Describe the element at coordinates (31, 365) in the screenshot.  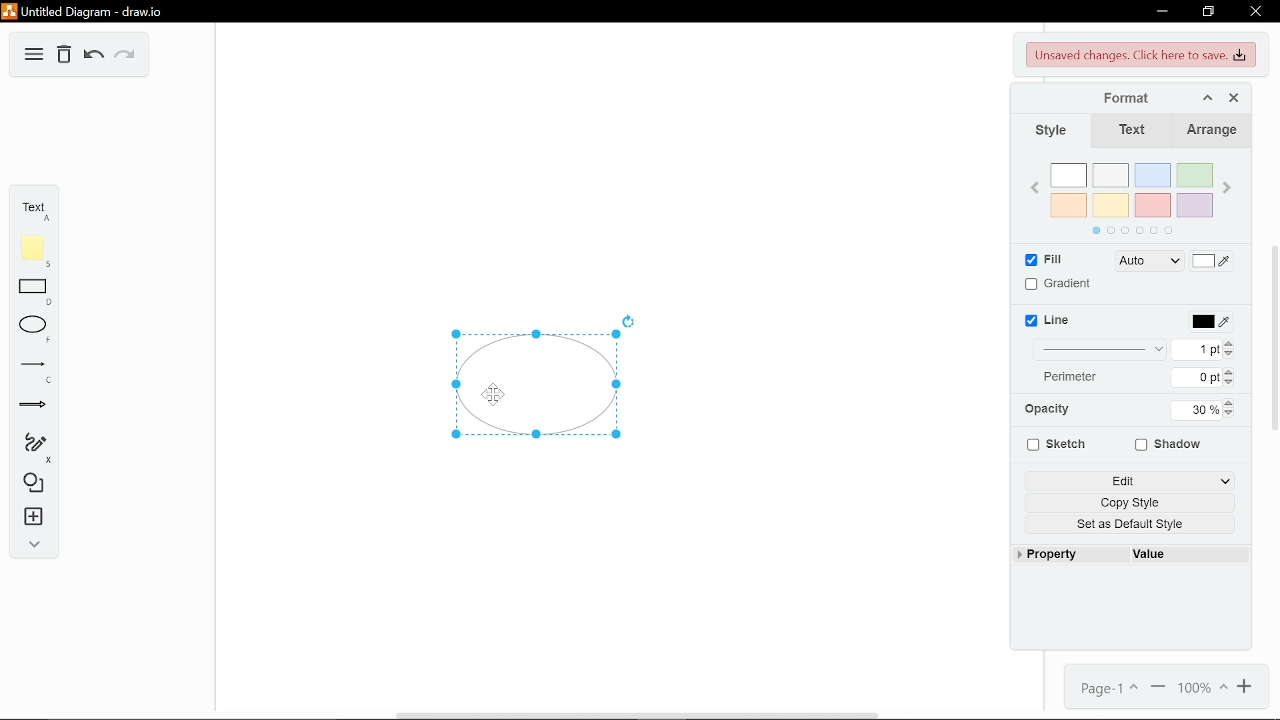
I see `Line` at that location.